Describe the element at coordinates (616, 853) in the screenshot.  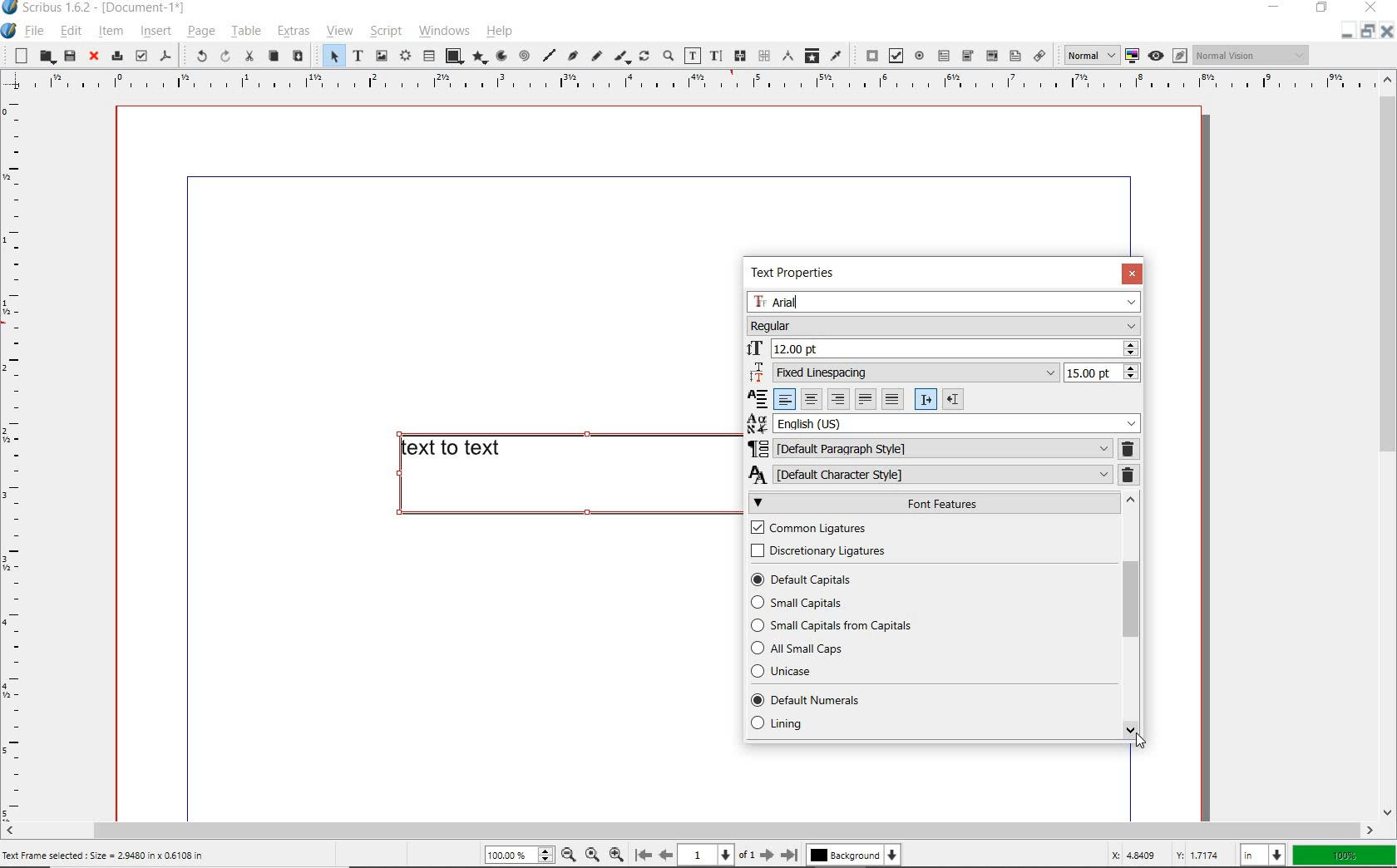
I see `Zoom in` at that location.